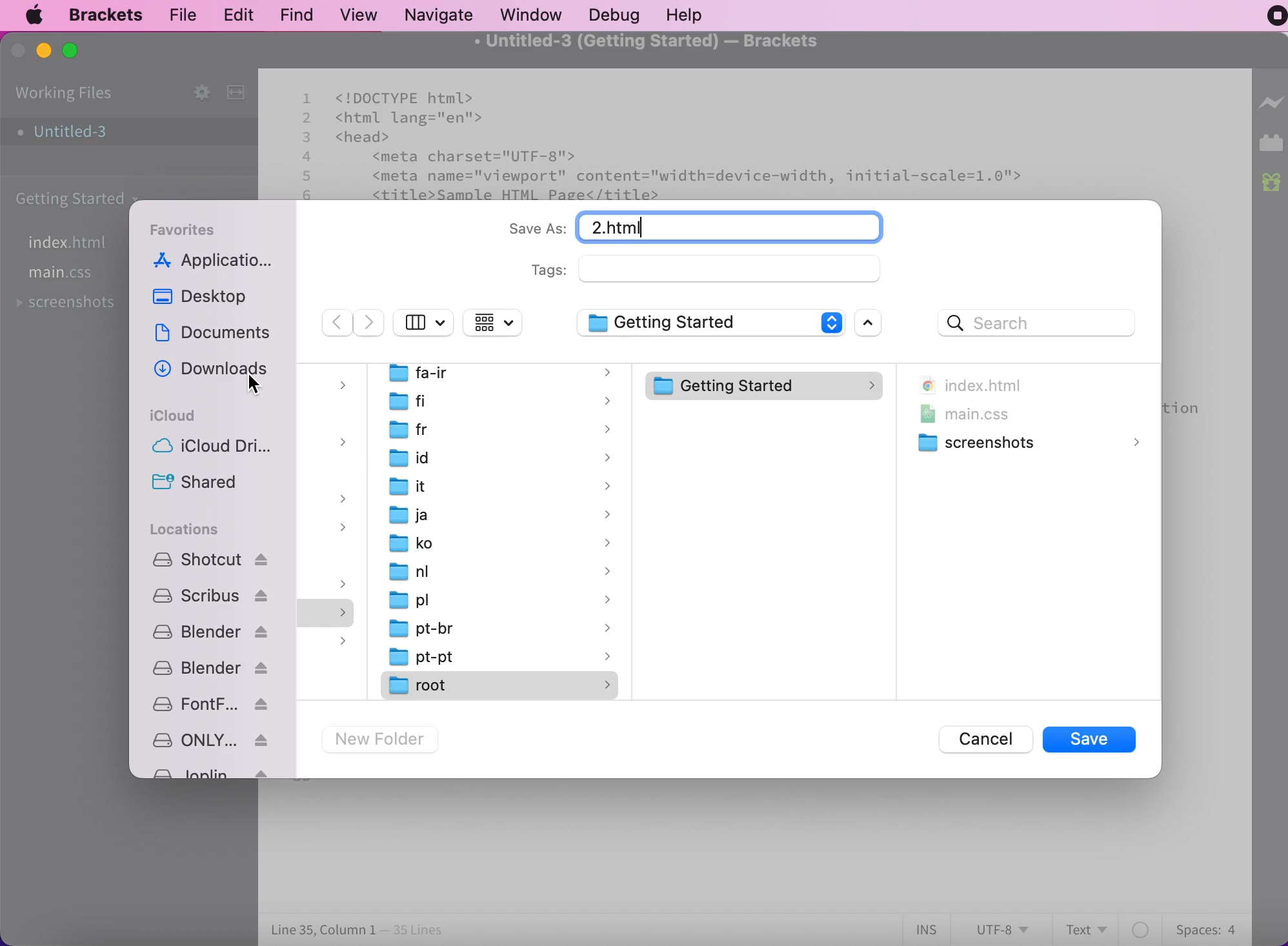 Image resolution: width=1288 pixels, height=946 pixels. I want to click on dropdown, so click(343, 641).